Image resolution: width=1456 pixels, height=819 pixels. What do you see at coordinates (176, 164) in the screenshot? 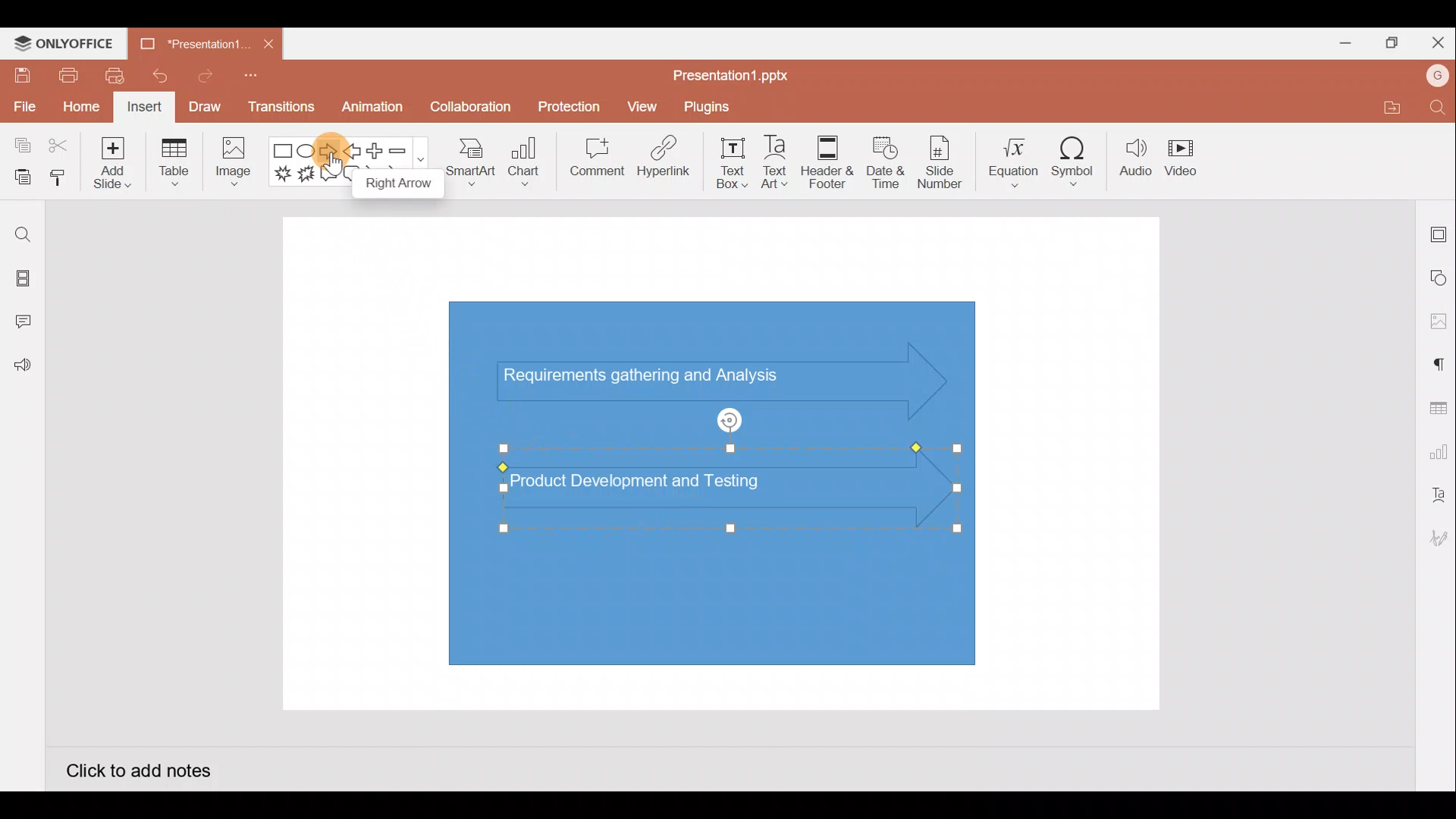
I see `Table` at bounding box center [176, 164].